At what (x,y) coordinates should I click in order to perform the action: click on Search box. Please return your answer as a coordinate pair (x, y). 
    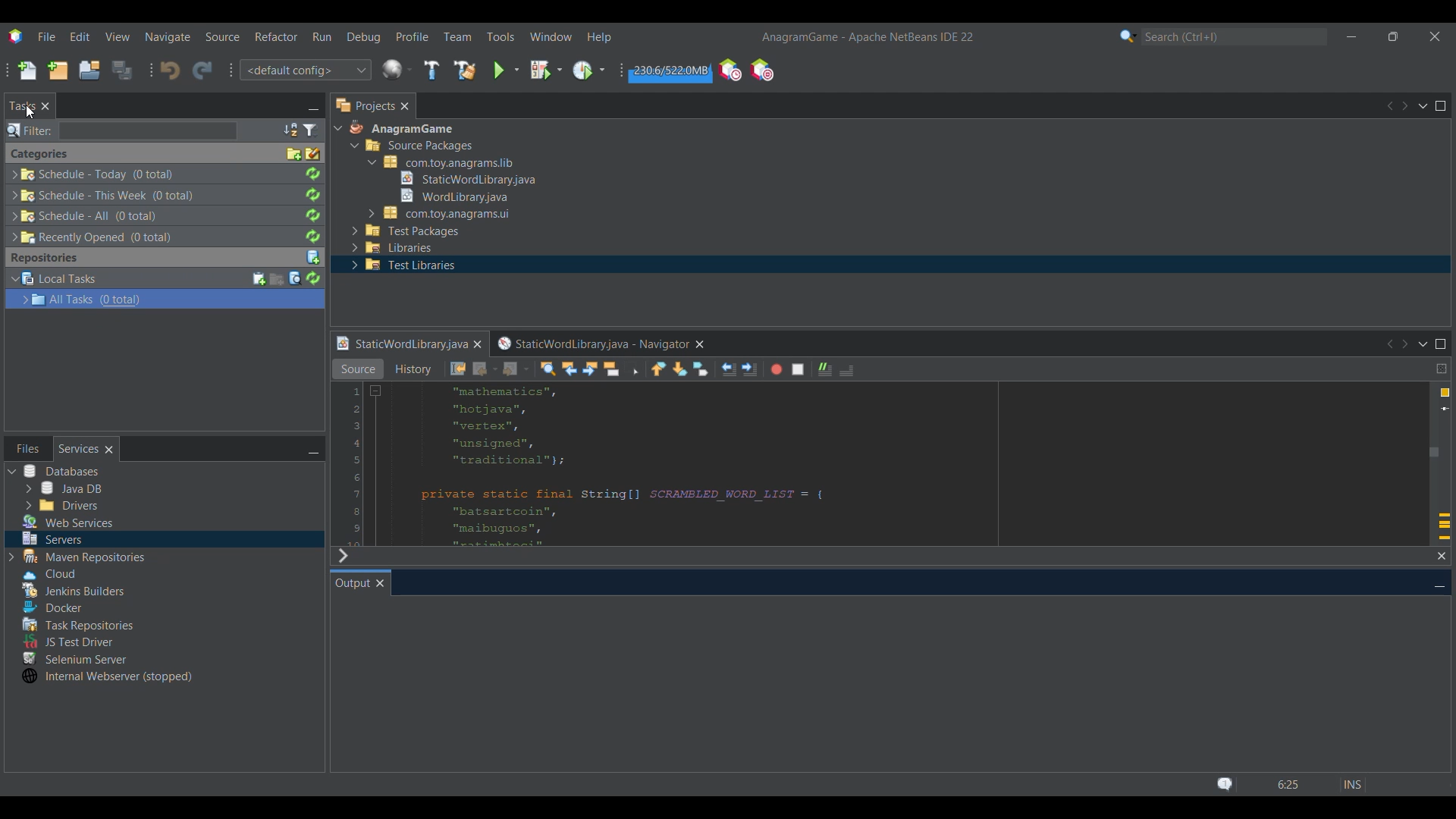
    Looking at the image, I should click on (148, 130).